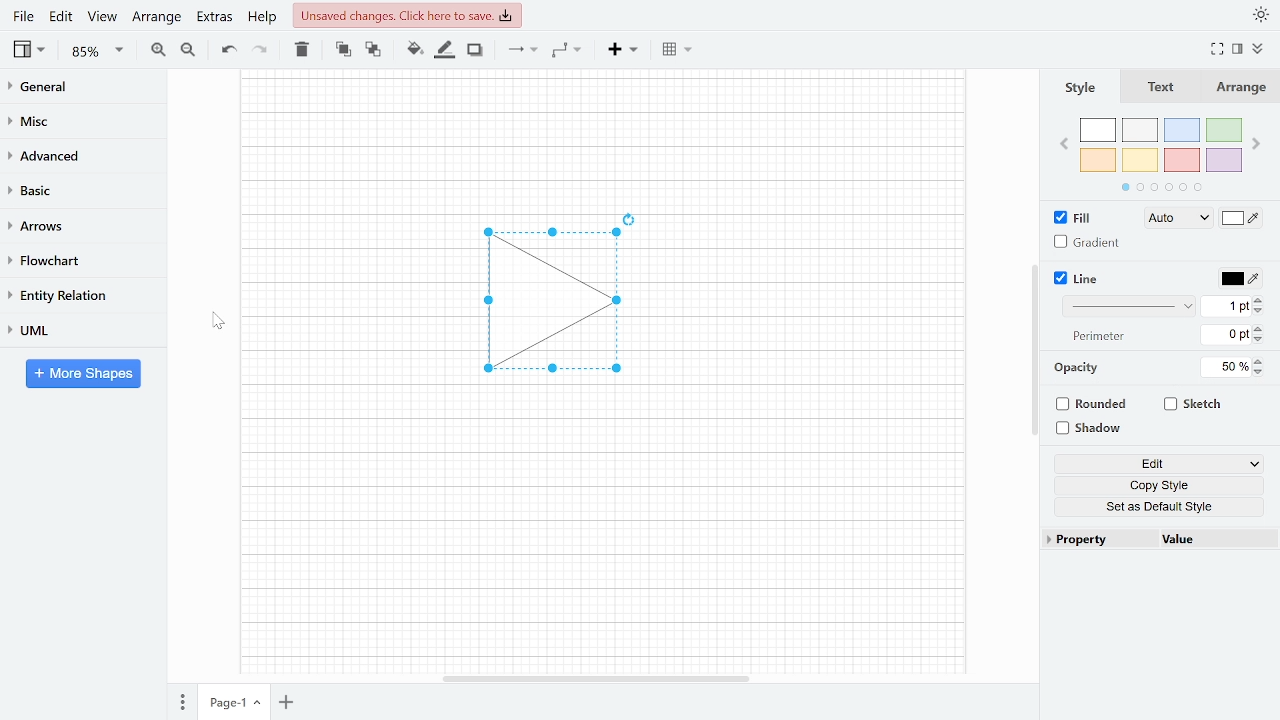  I want to click on Zoom, so click(98, 51).